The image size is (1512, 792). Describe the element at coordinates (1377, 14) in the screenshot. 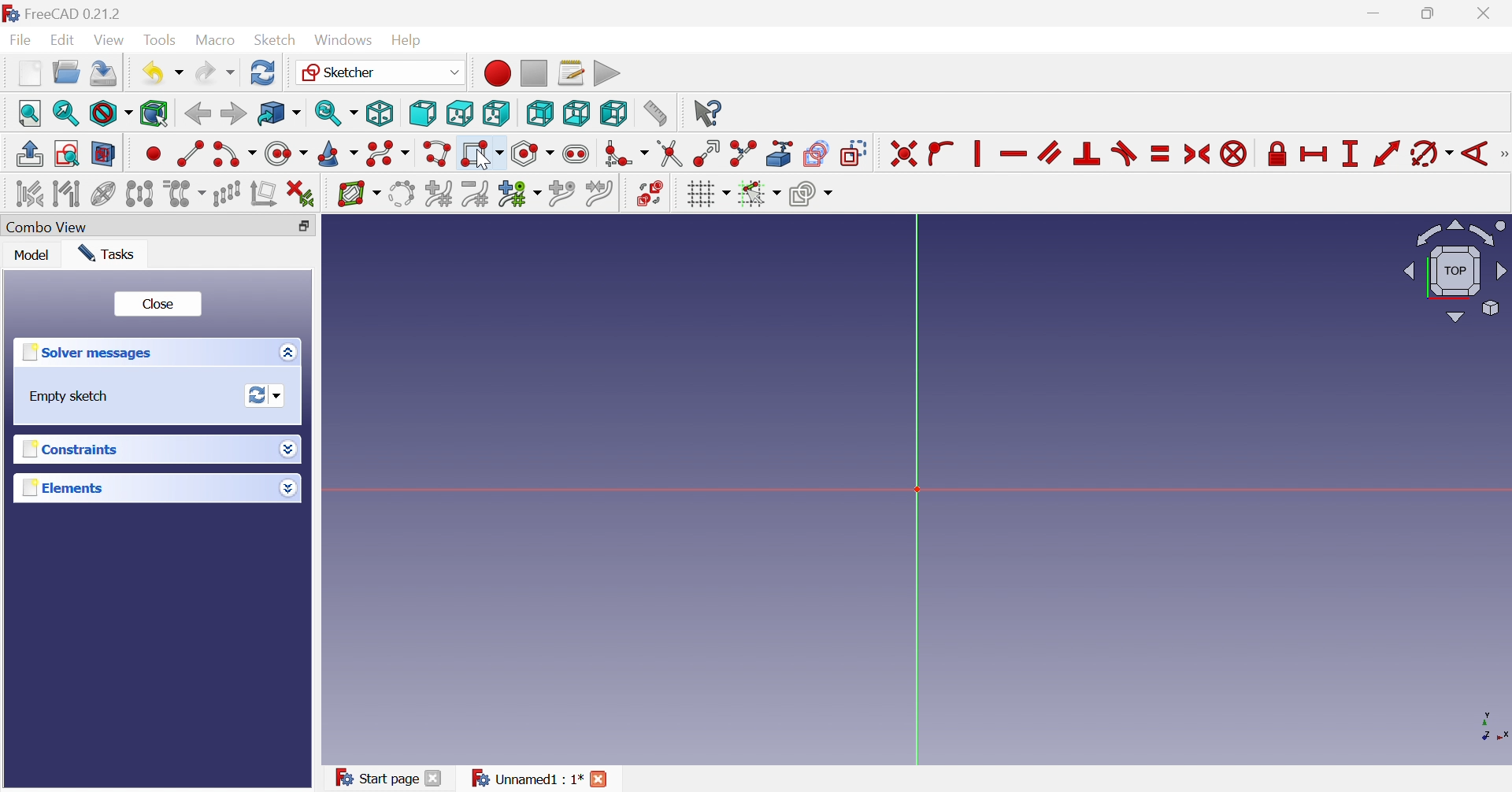

I see `Minimize` at that location.